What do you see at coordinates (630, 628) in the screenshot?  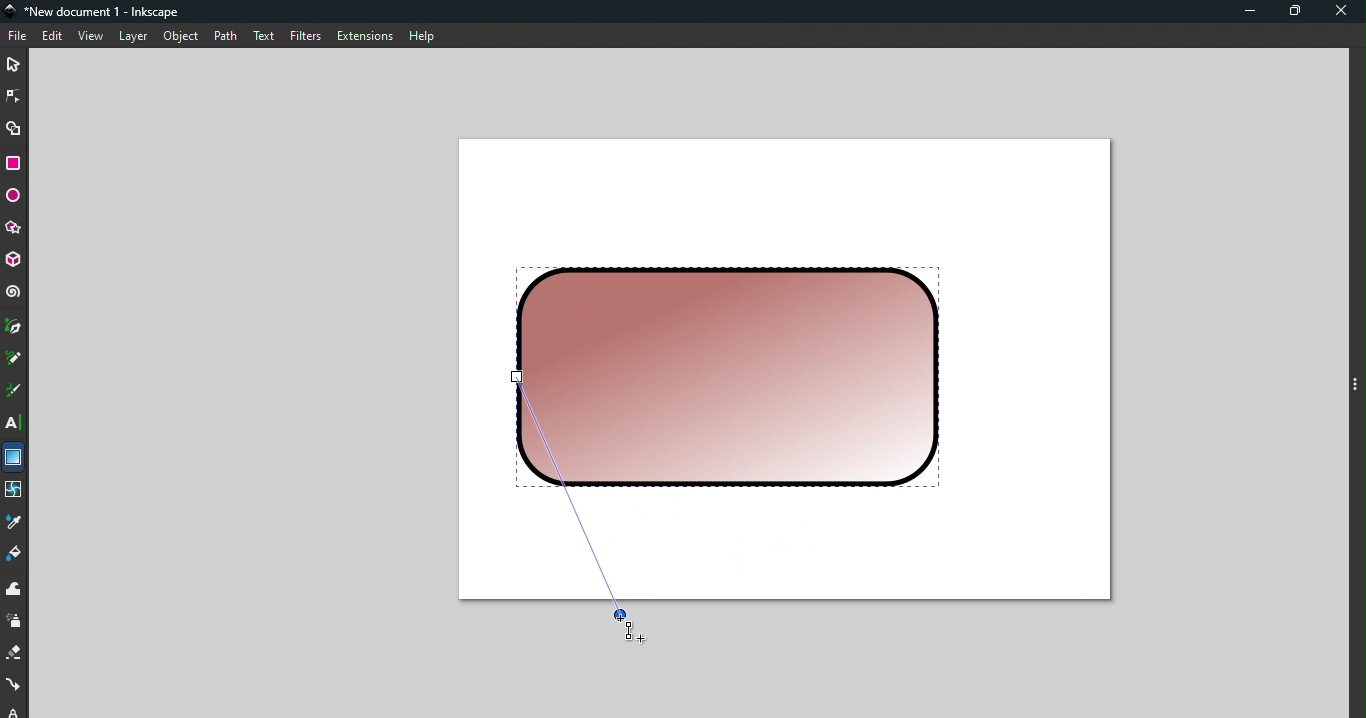 I see `cursor` at bounding box center [630, 628].